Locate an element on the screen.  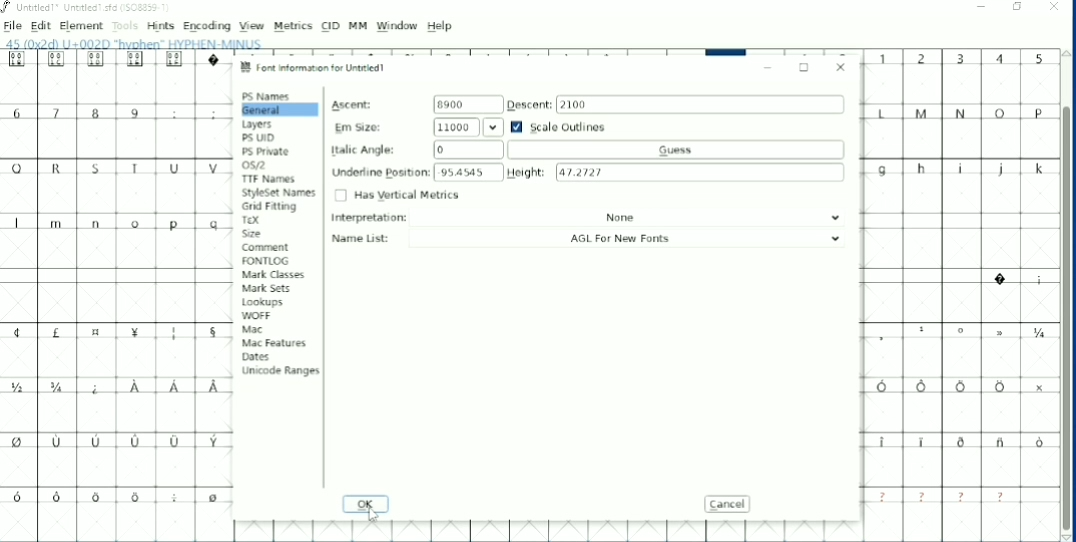
Window is located at coordinates (397, 26).